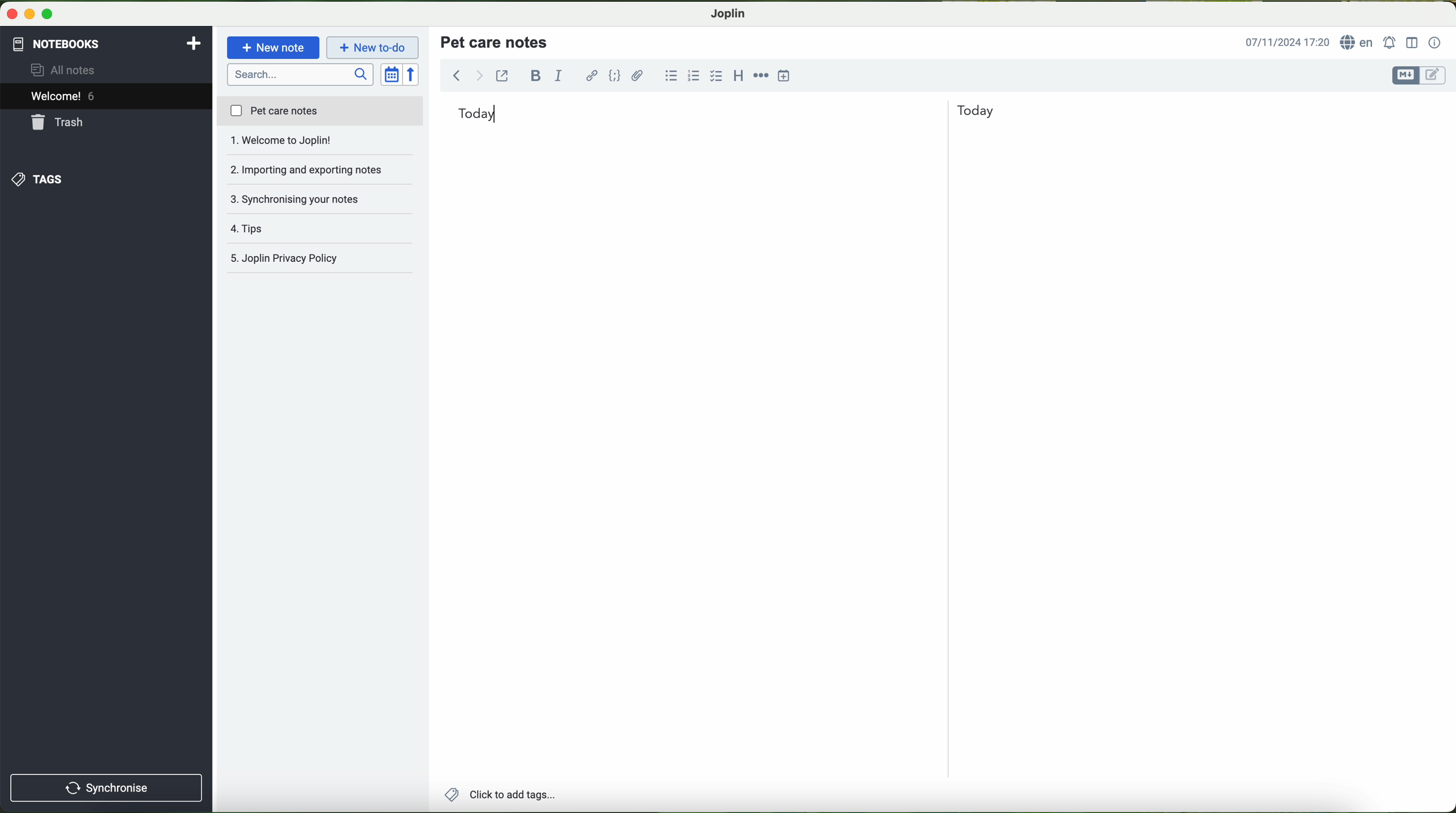  Describe the element at coordinates (466, 75) in the screenshot. I see `navigation arrows` at that location.